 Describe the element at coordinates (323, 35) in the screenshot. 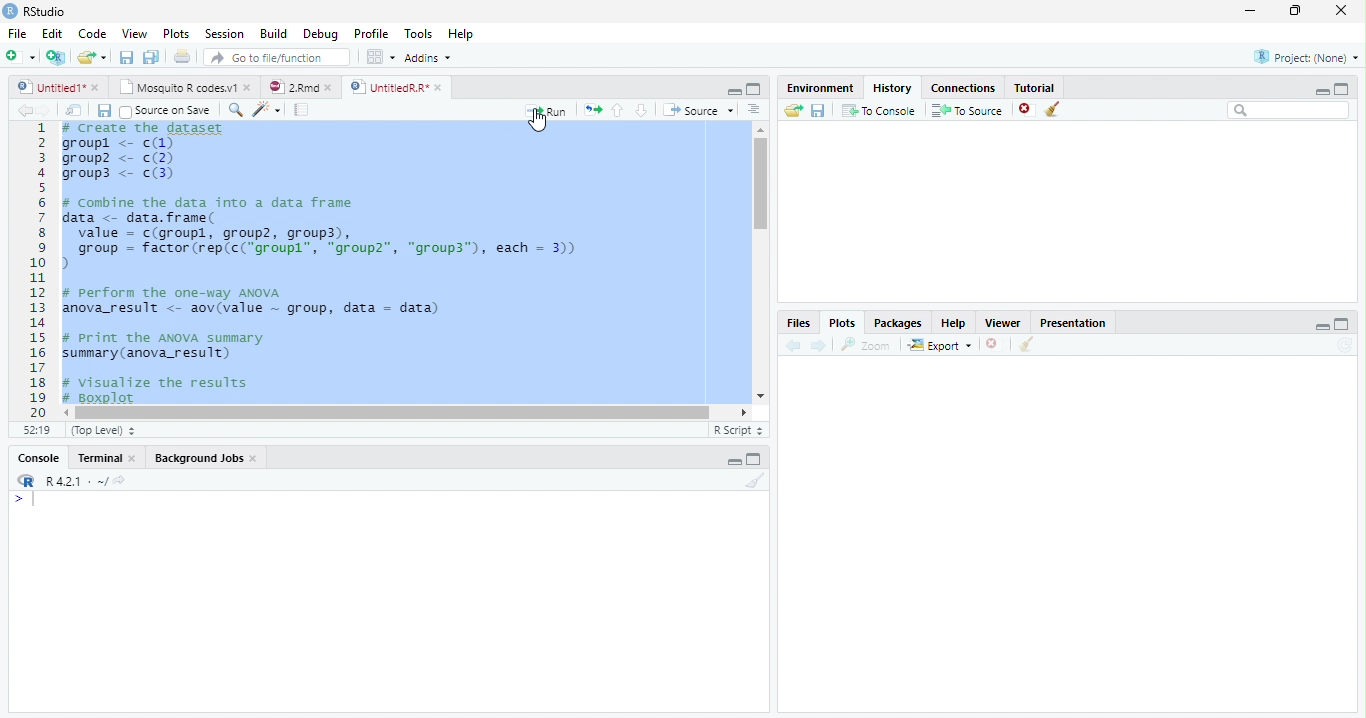

I see `debug` at that location.